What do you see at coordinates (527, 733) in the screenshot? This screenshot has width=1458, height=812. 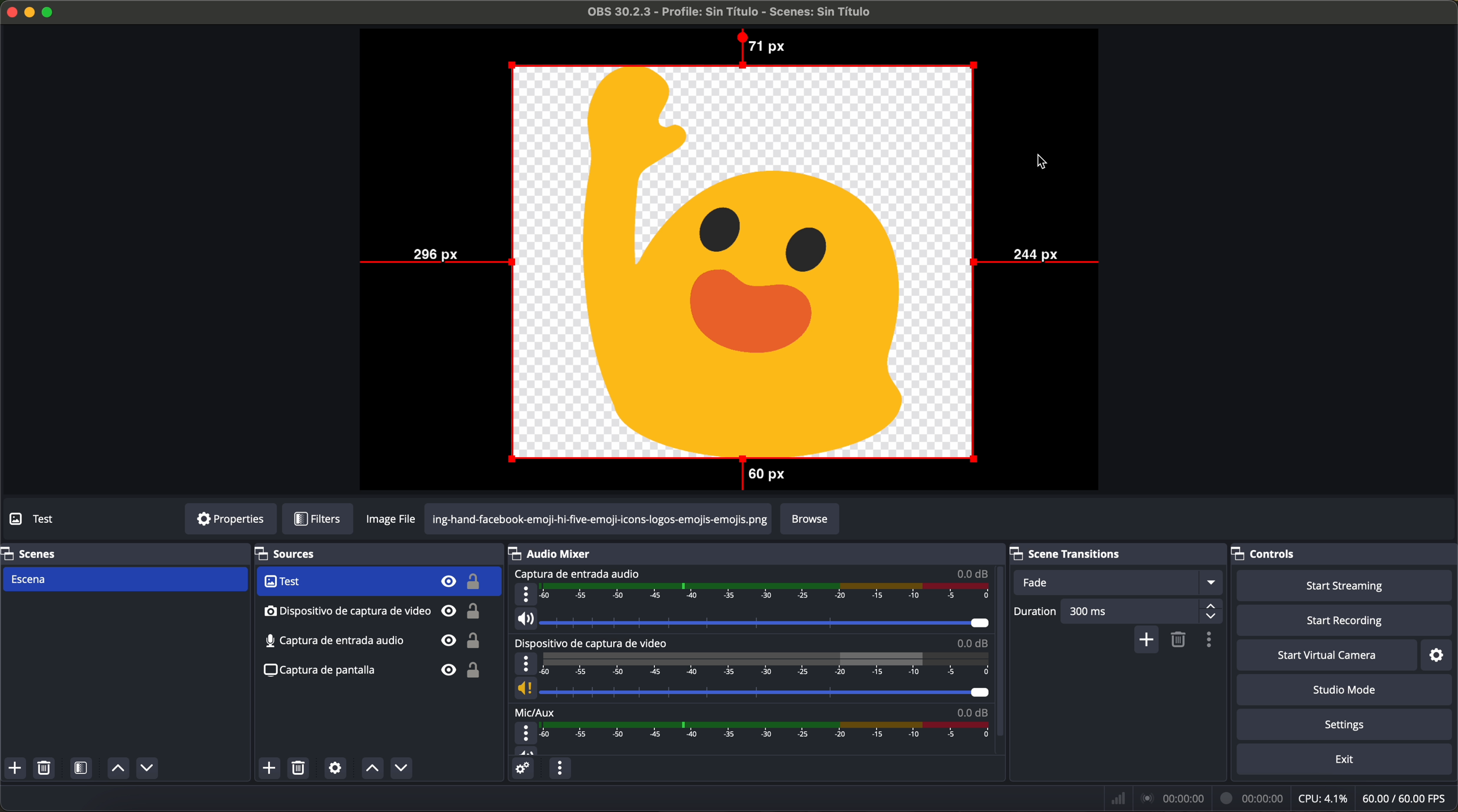 I see `more options` at bounding box center [527, 733].